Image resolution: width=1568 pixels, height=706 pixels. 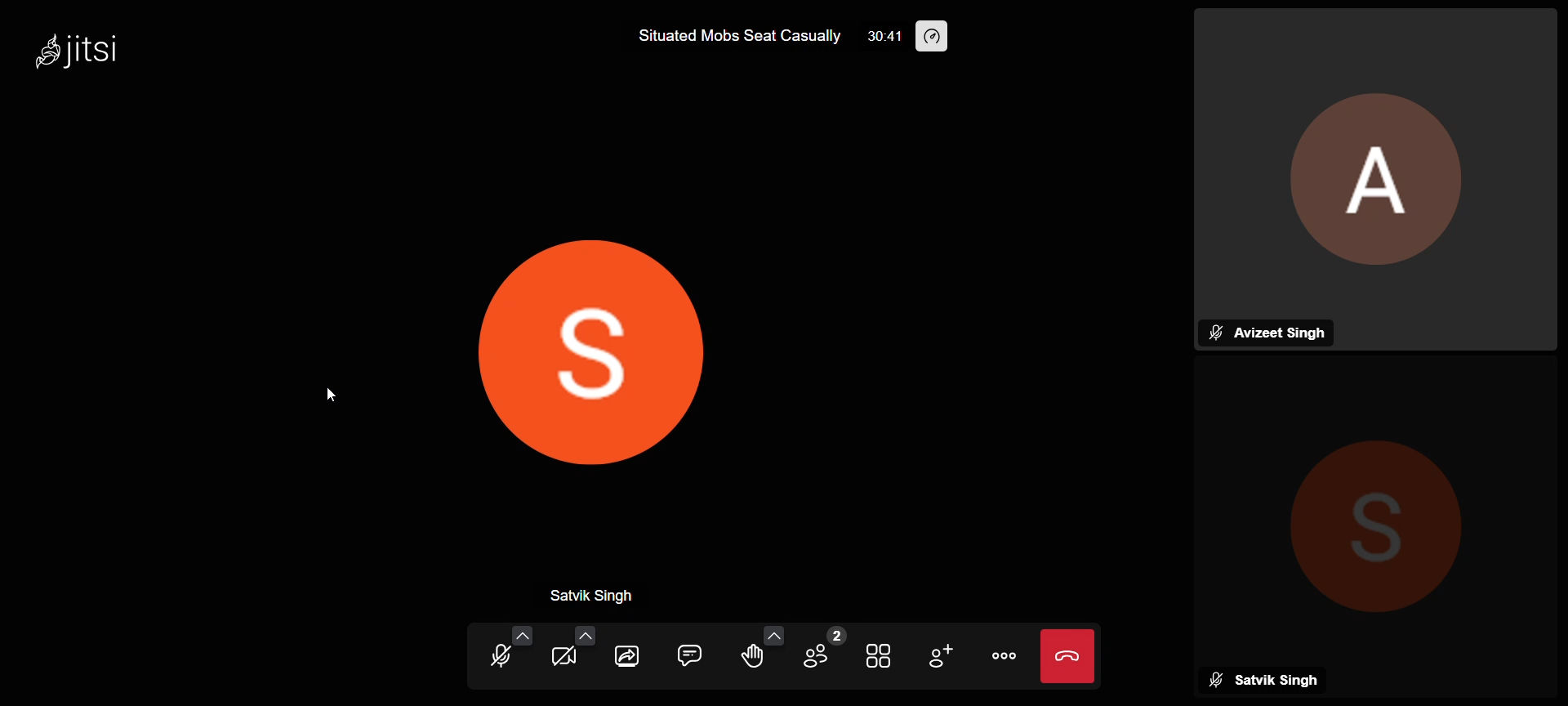 I want to click on unmute mic, so click(x=494, y=655).